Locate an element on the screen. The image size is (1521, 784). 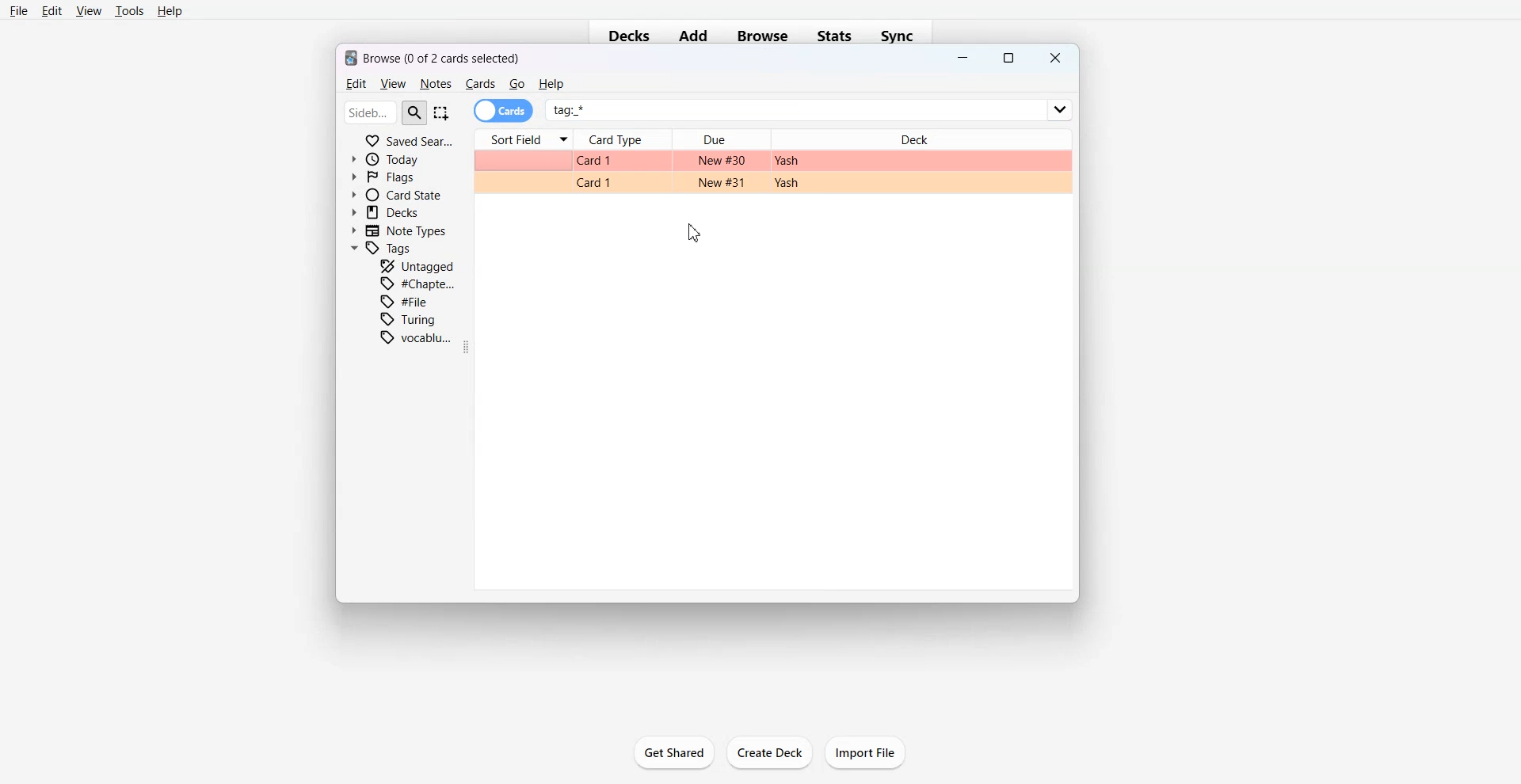
Import File is located at coordinates (867, 752).